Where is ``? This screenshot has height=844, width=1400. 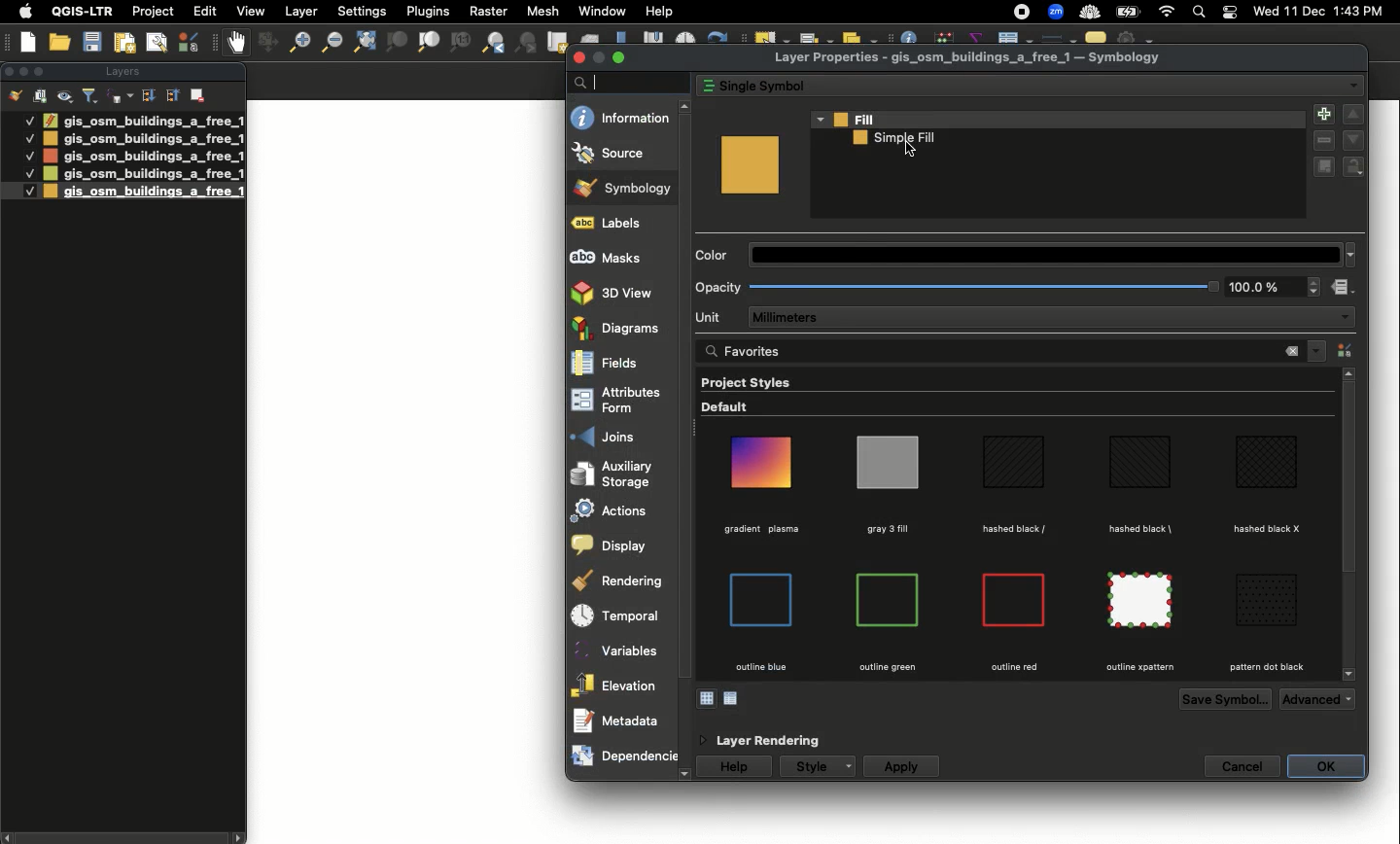  is located at coordinates (889, 462).